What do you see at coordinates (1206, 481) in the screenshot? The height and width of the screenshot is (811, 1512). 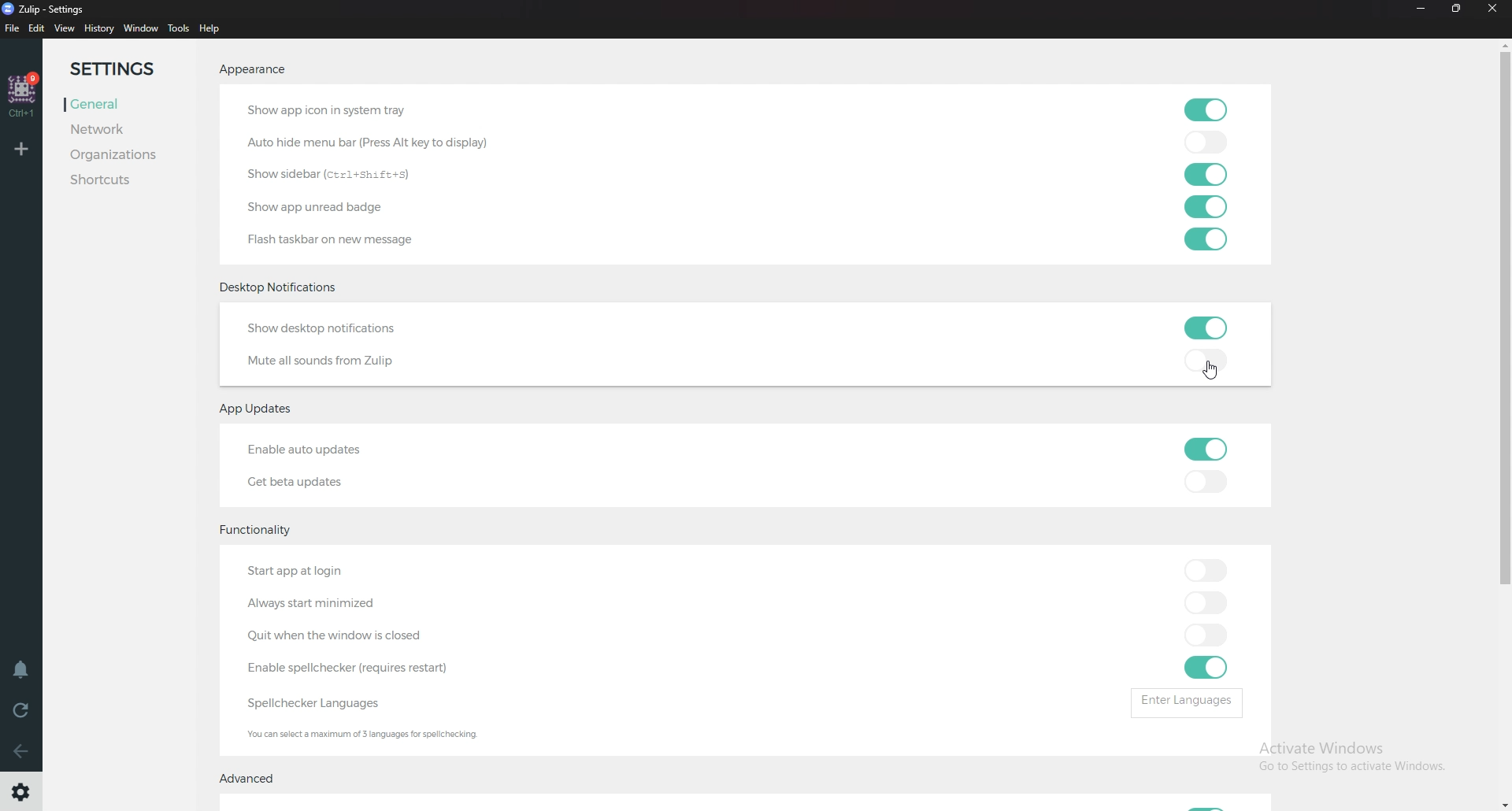 I see `toggle` at bounding box center [1206, 481].